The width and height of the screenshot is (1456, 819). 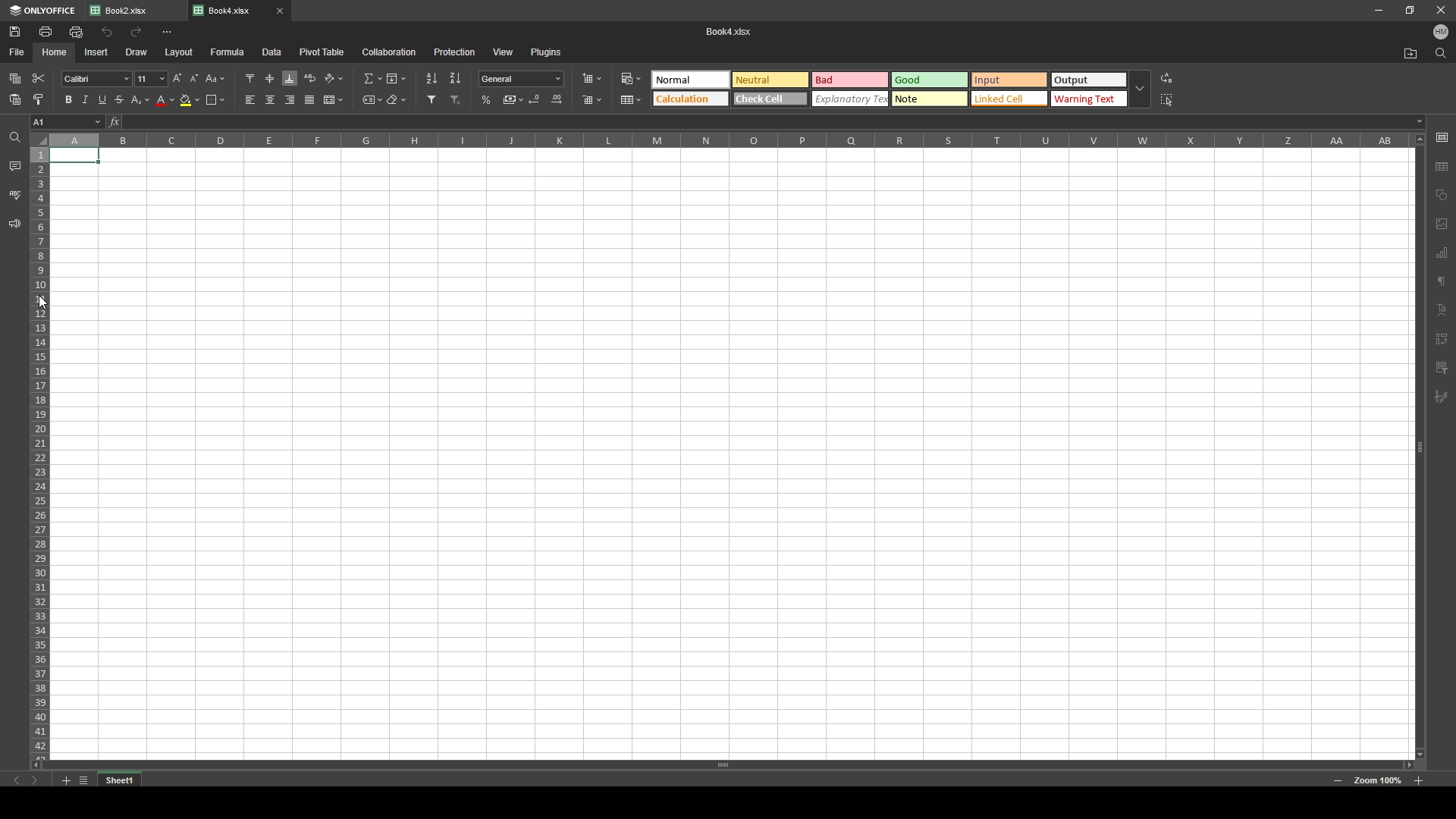 What do you see at coordinates (733, 452) in the screenshot?
I see `spreadsheet` at bounding box center [733, 452].